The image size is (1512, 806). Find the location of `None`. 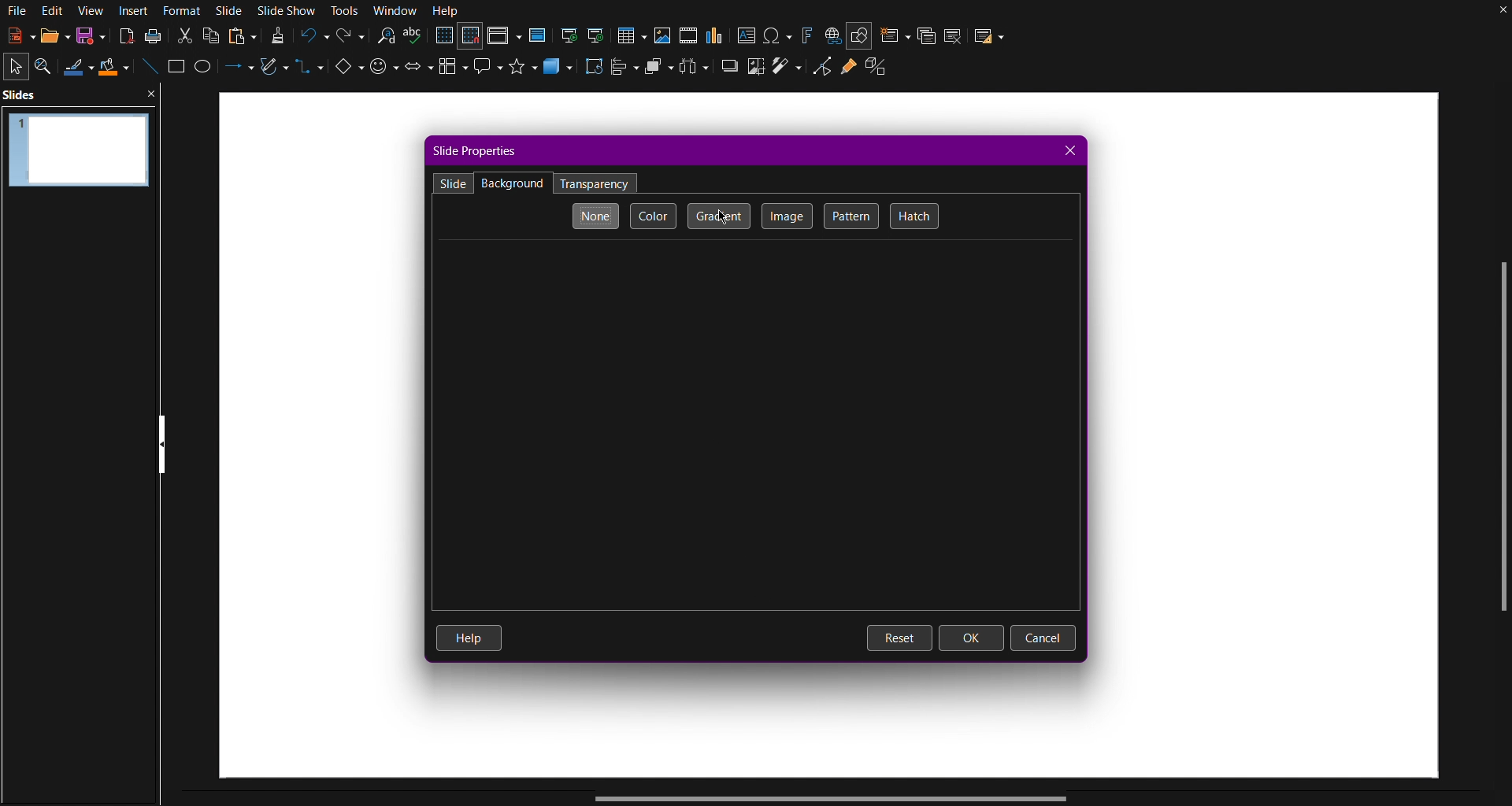

None is located at coordinates (596, 216).